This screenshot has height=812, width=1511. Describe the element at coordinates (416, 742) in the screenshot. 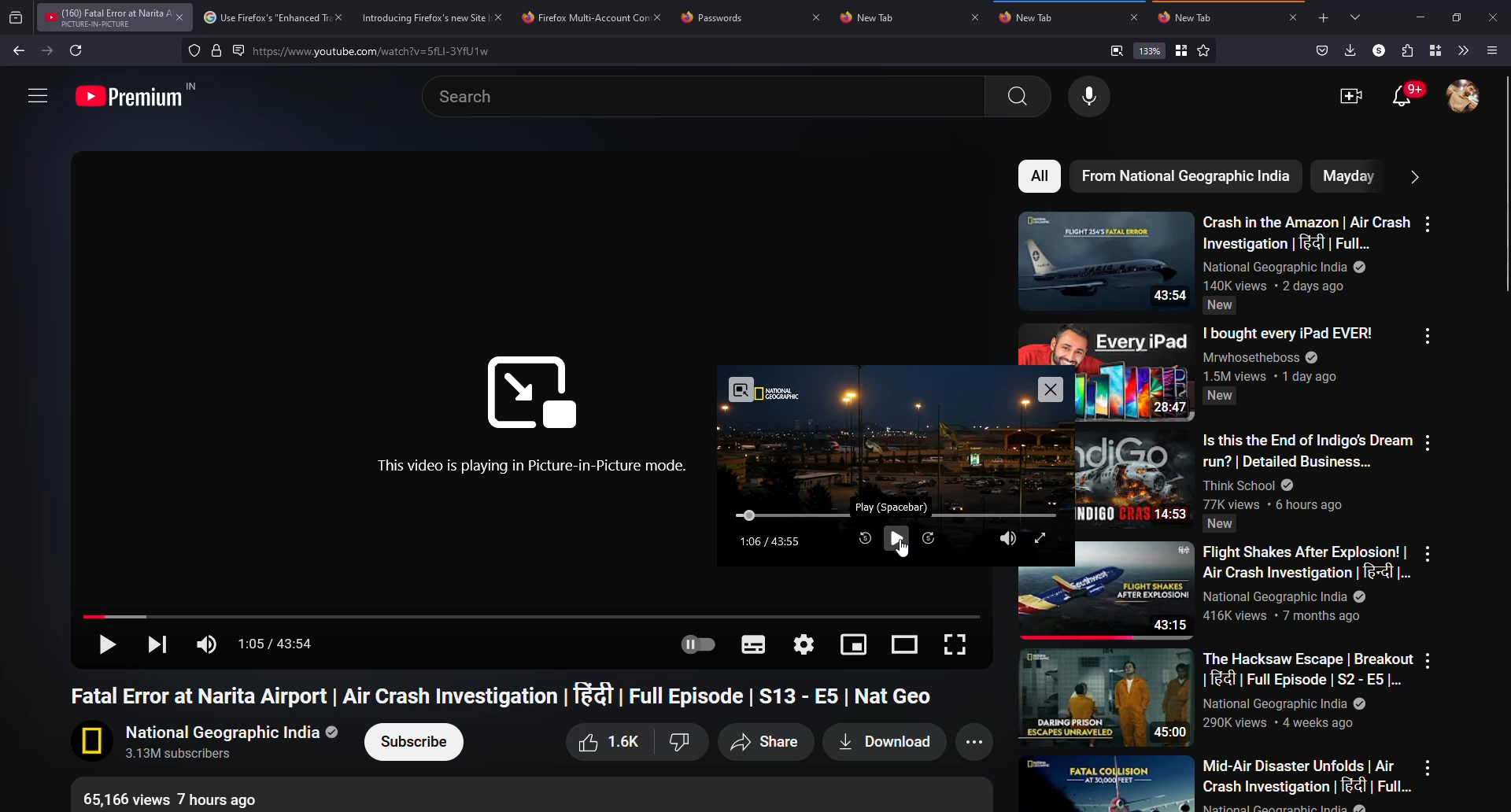

I see `subscribe` at that location.